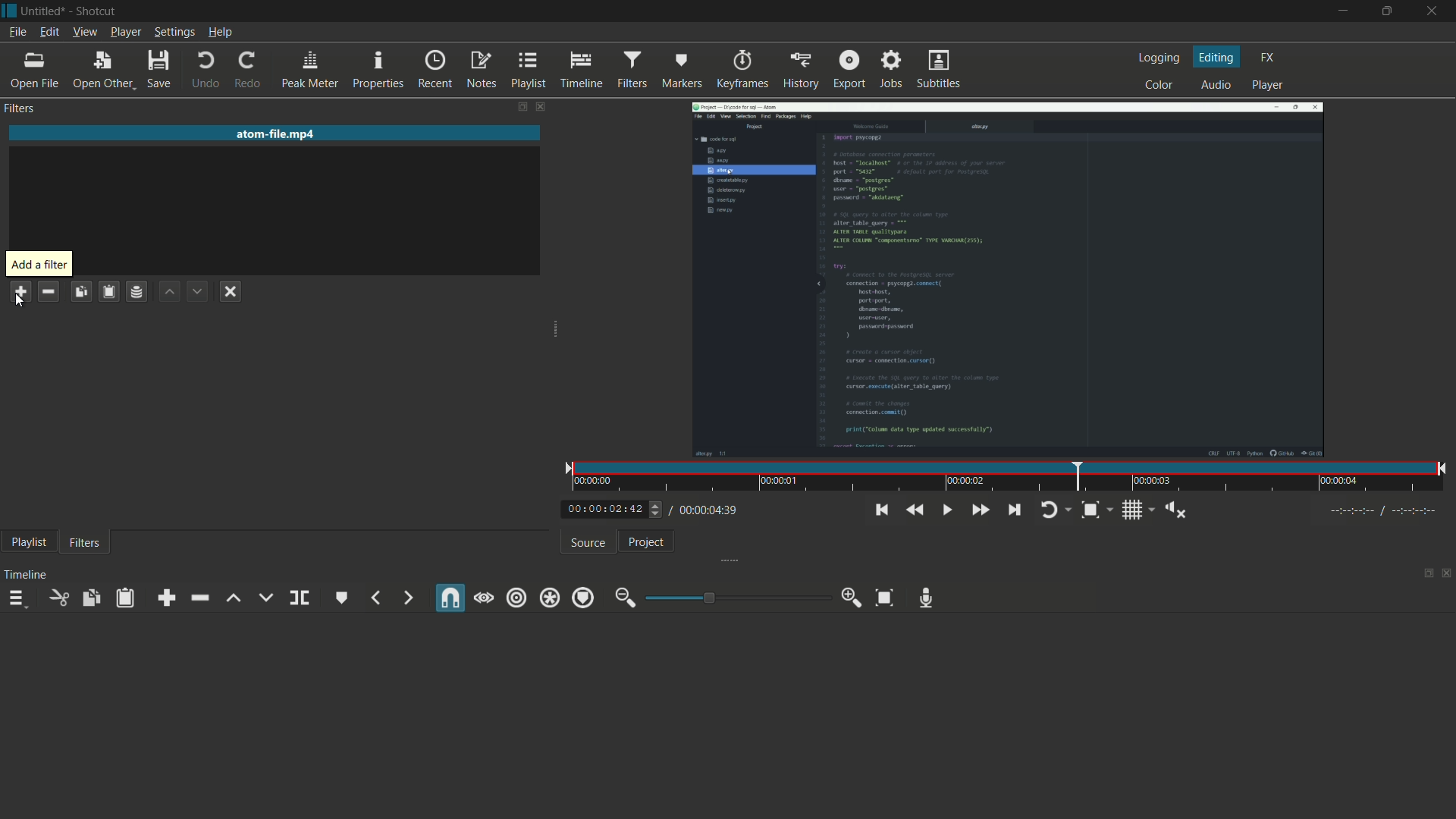 This screenshot has width=1456, height=819. I want to click on editing, so click(1218, 57).